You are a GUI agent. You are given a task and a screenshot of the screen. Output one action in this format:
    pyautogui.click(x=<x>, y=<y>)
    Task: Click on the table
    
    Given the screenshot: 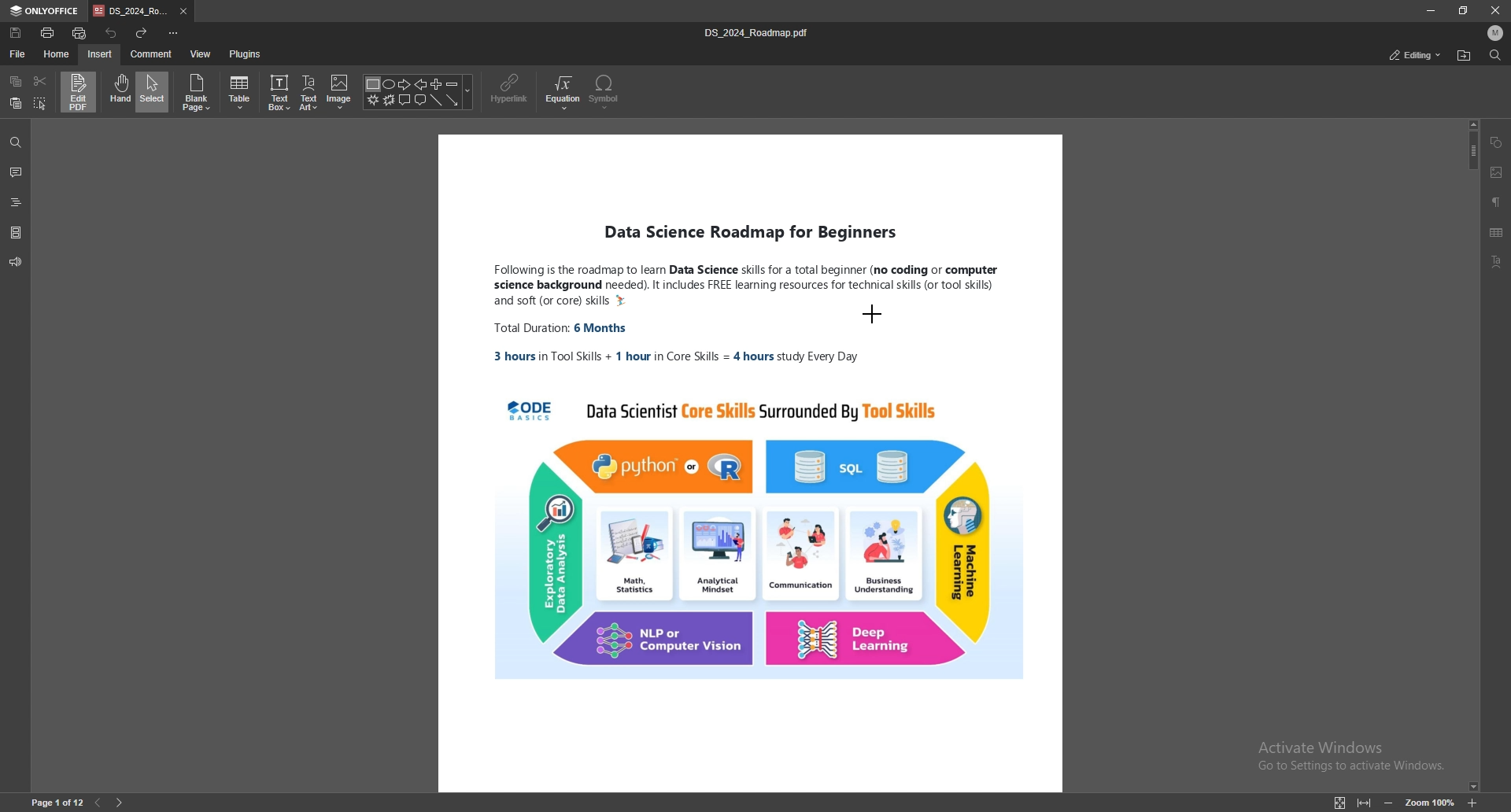 What is the action you would take?
    pyautogui.click(x=1498, y=233)
    